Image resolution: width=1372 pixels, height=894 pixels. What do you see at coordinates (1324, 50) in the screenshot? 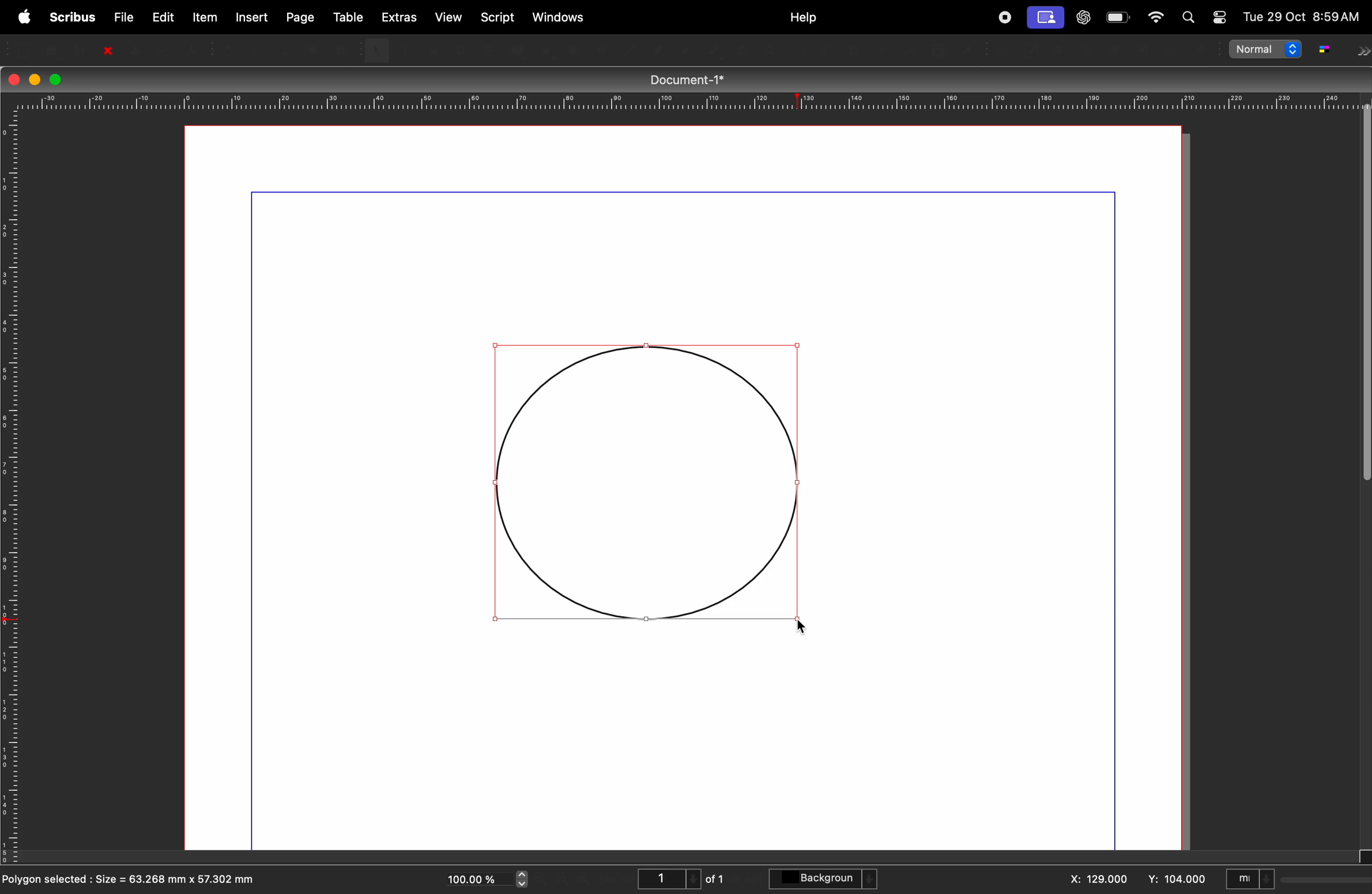
I see `g` at bounding box center [1324, 50].